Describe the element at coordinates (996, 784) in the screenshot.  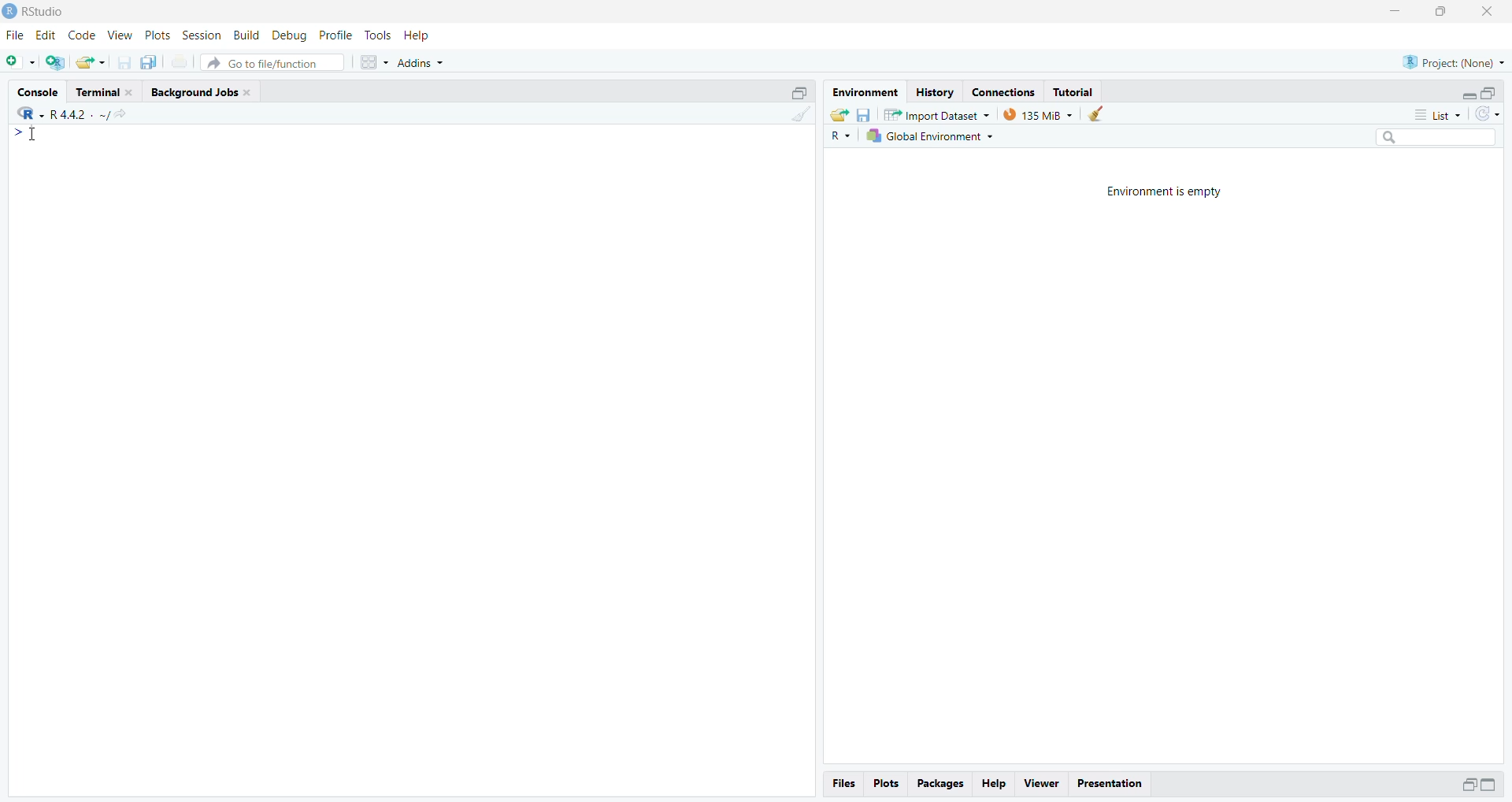
I see `Help` at that location.